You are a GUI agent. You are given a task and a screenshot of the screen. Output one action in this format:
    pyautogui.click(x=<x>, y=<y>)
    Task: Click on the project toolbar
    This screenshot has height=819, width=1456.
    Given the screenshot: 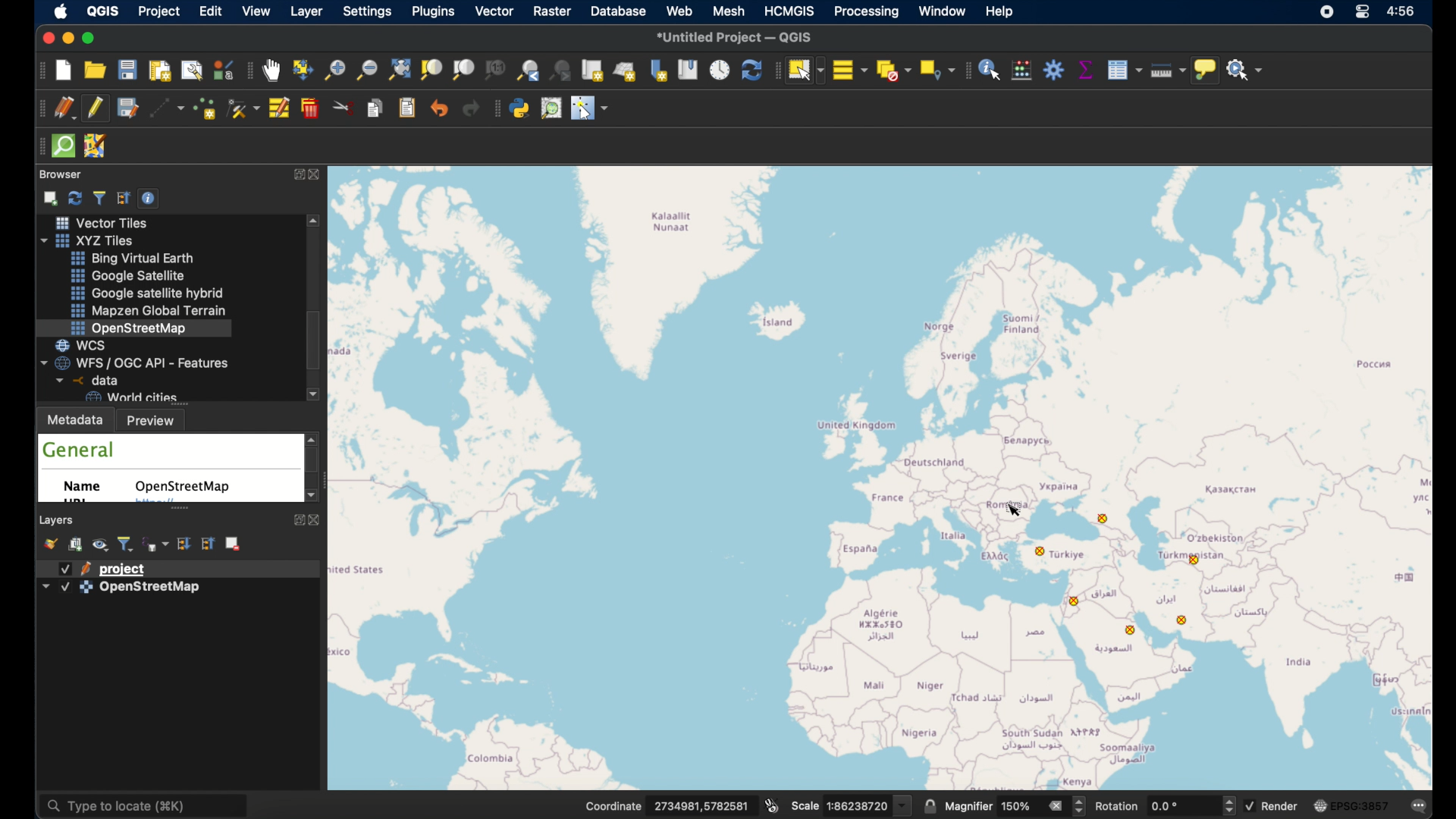 What is the action you would take?
    pyautogui.click(x=38, y=72)
    